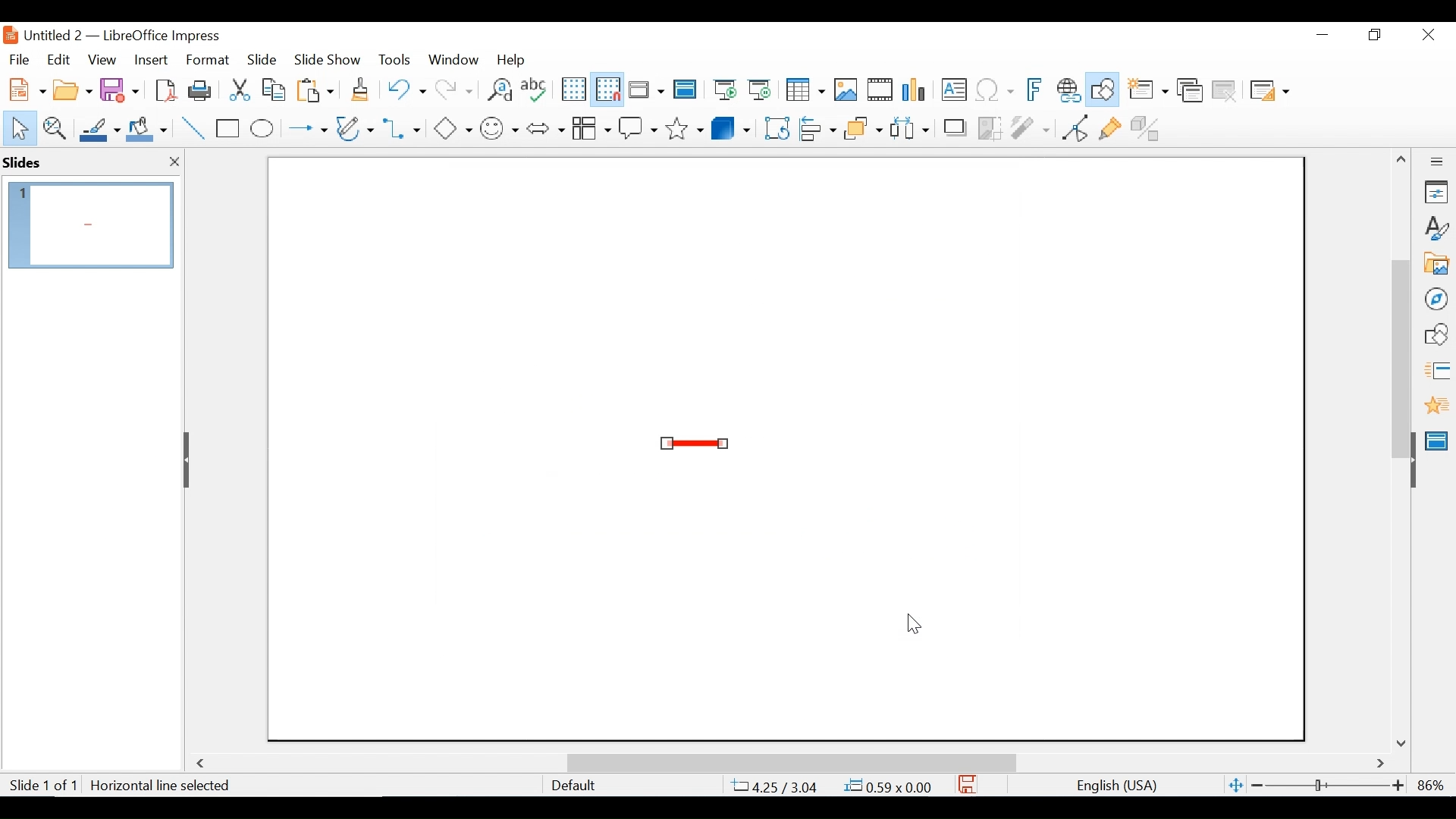 The height and width of the screenshot is (819, 1456). I want to click on Undo, so click(404, 88).